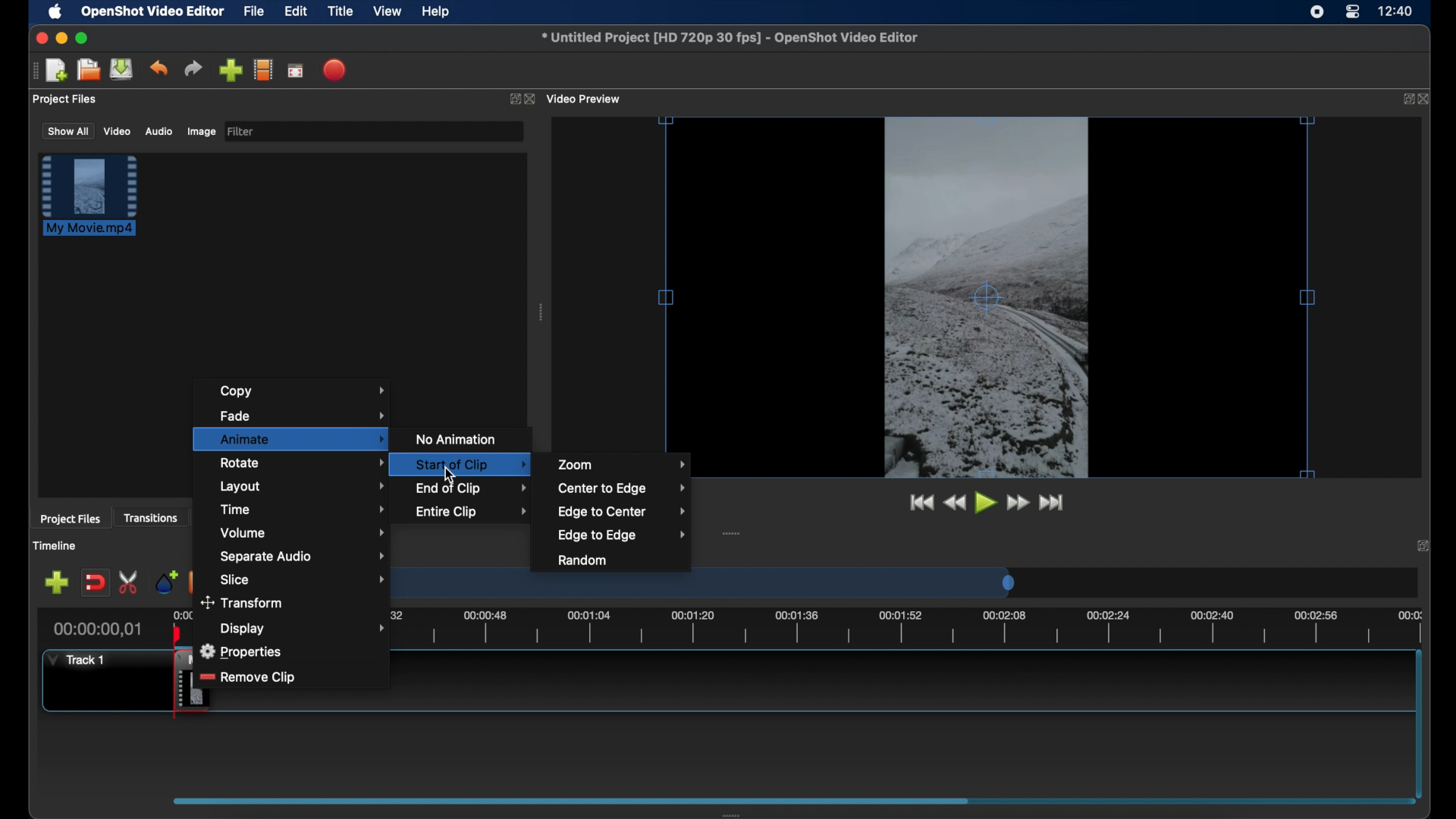 The width and height of the screenshot is (1456, 819). Describe the element at coordinates (200, 132) in the screenshot. I see `image` at that location.